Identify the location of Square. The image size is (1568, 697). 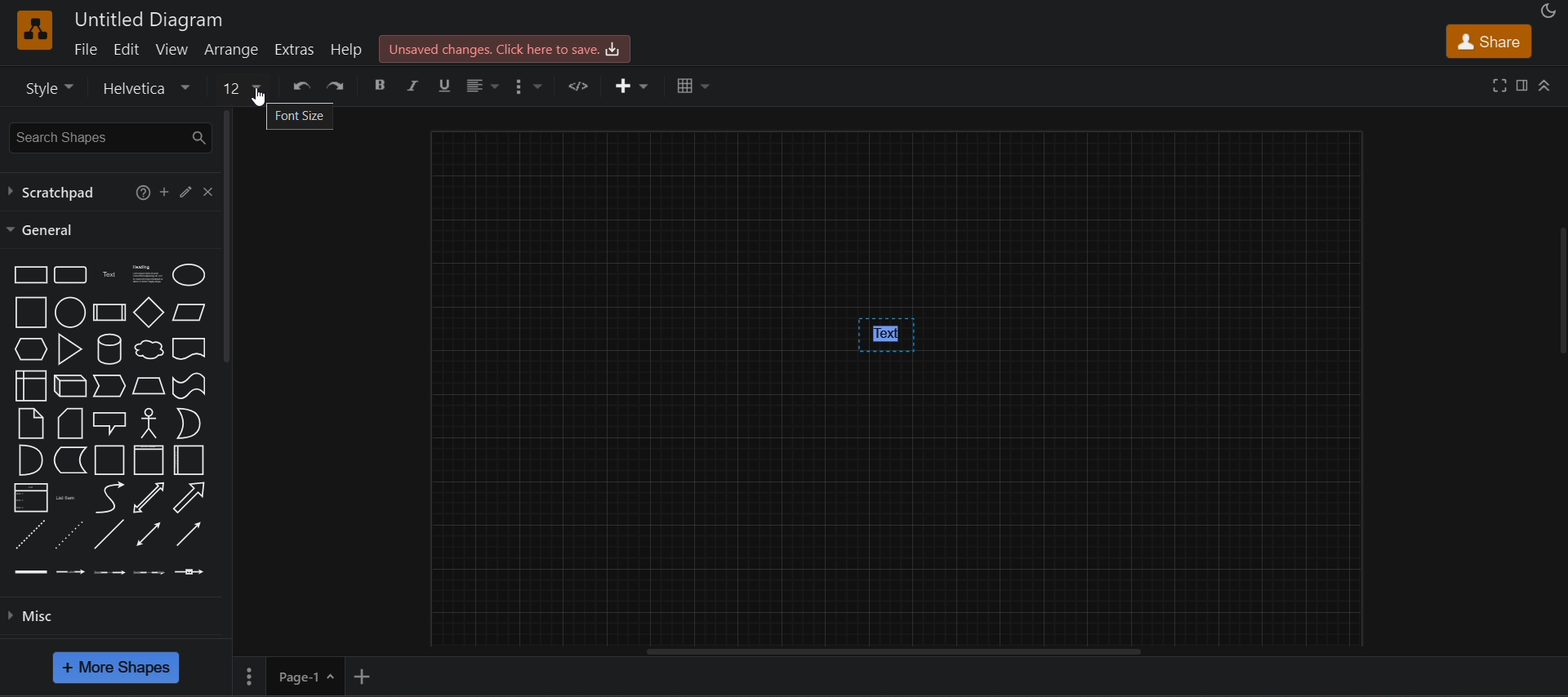
(31, 312).